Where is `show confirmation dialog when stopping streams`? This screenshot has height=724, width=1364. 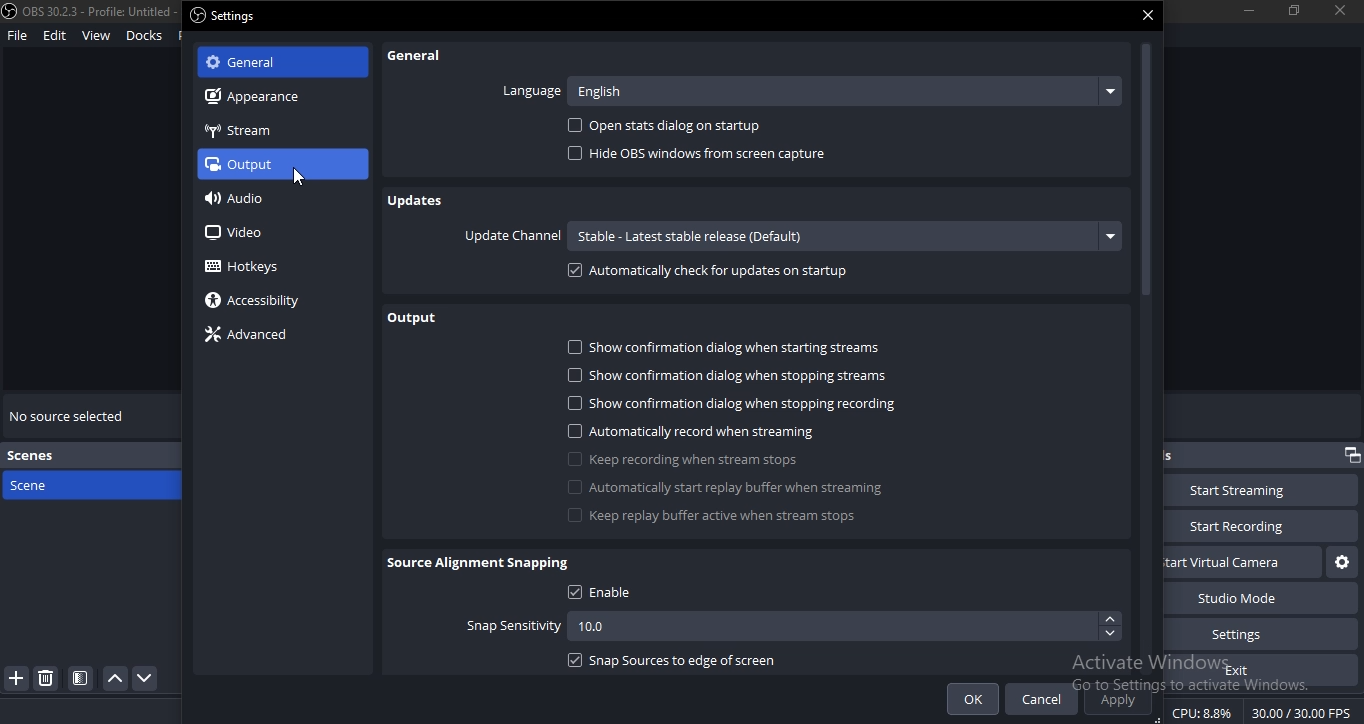 show confirmation dialog when stopping streams is located at coordinates (727, 375).